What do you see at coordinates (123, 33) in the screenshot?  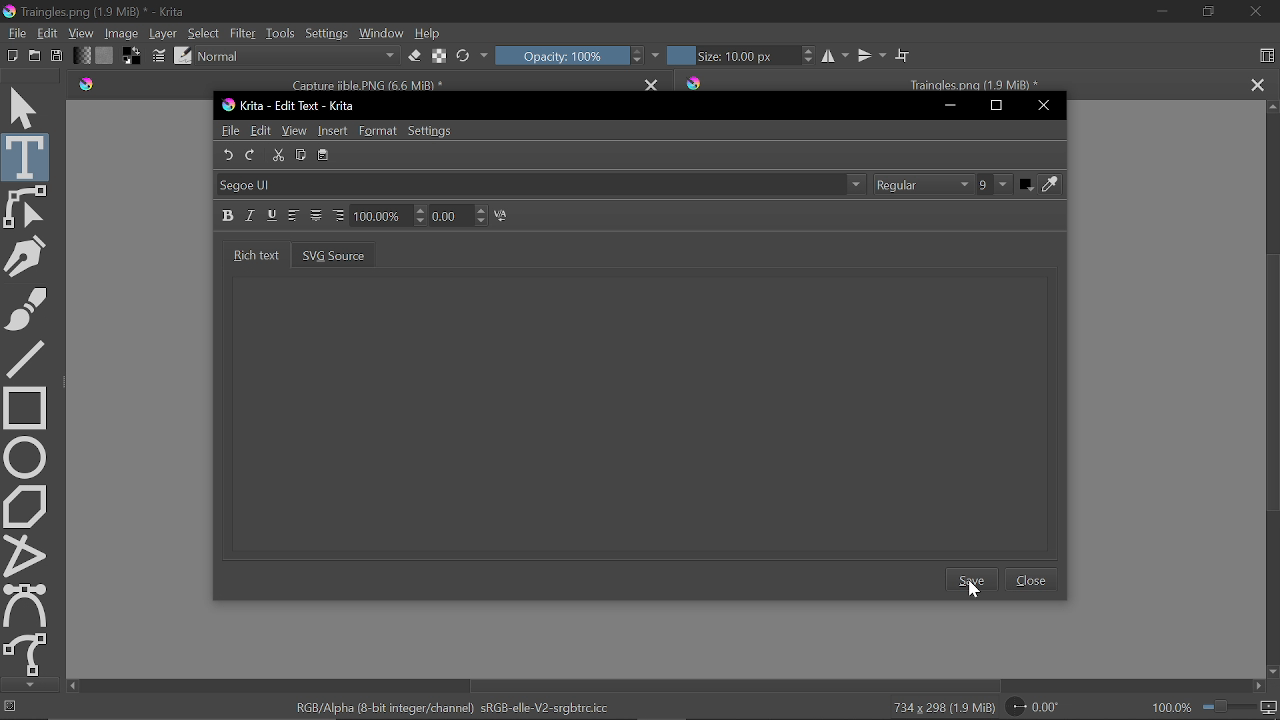 I see `Image` at bounding box center [123, 33].